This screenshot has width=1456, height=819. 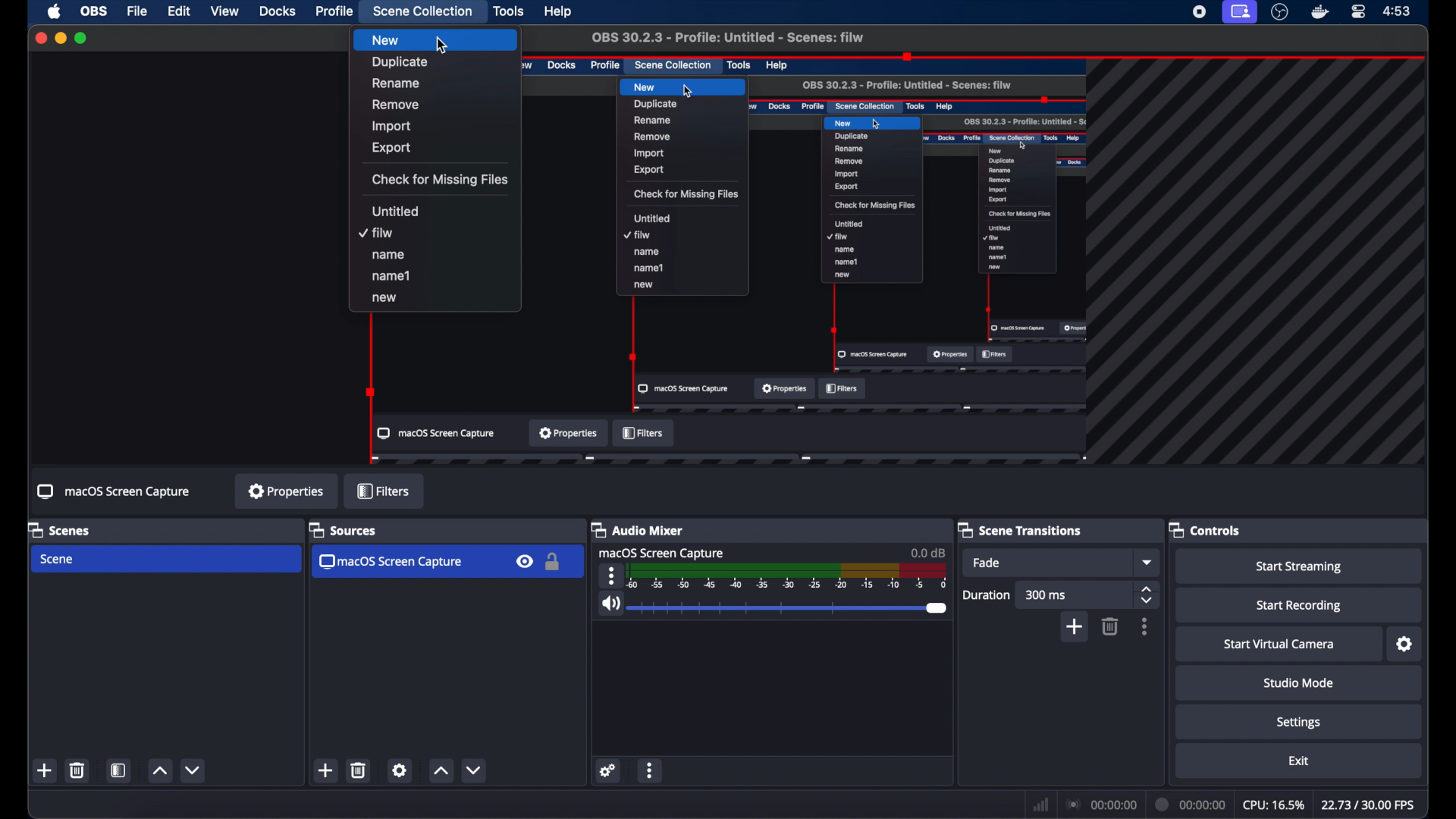 I want to click on 0.00 db, so click(x=927, y=550).